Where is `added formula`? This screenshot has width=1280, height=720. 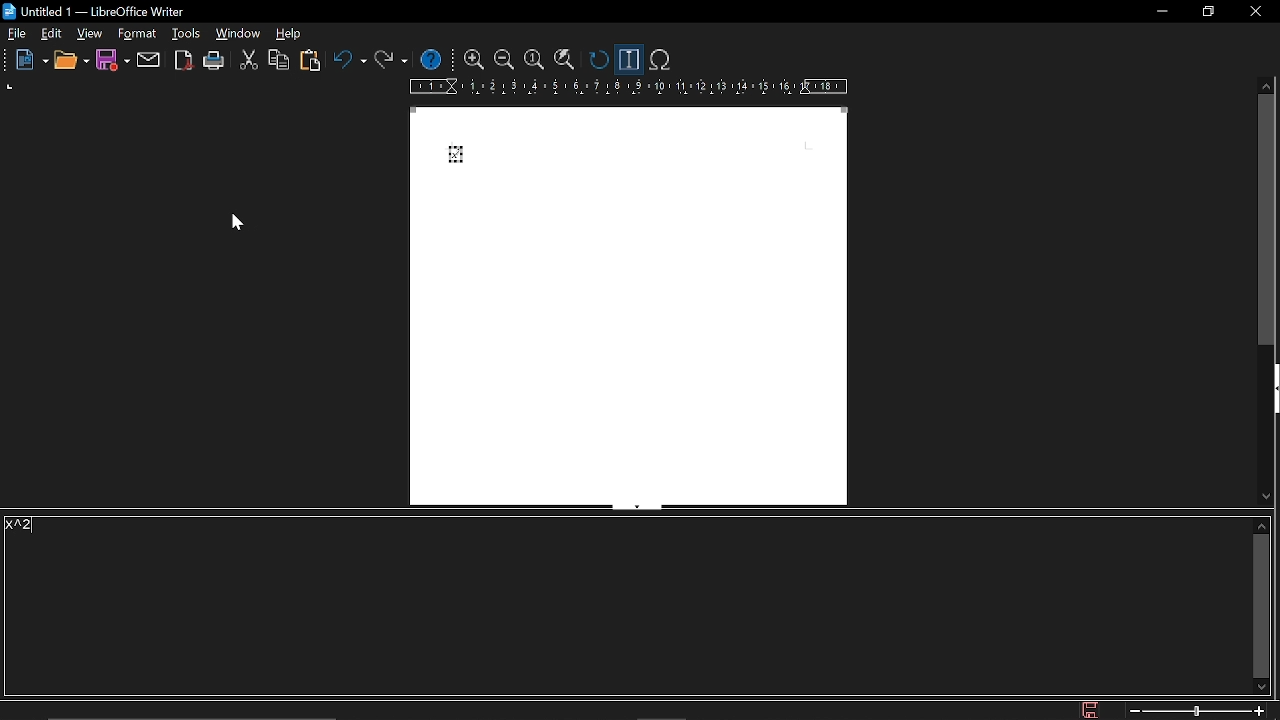
added formula is located at coordinates (454, 155).